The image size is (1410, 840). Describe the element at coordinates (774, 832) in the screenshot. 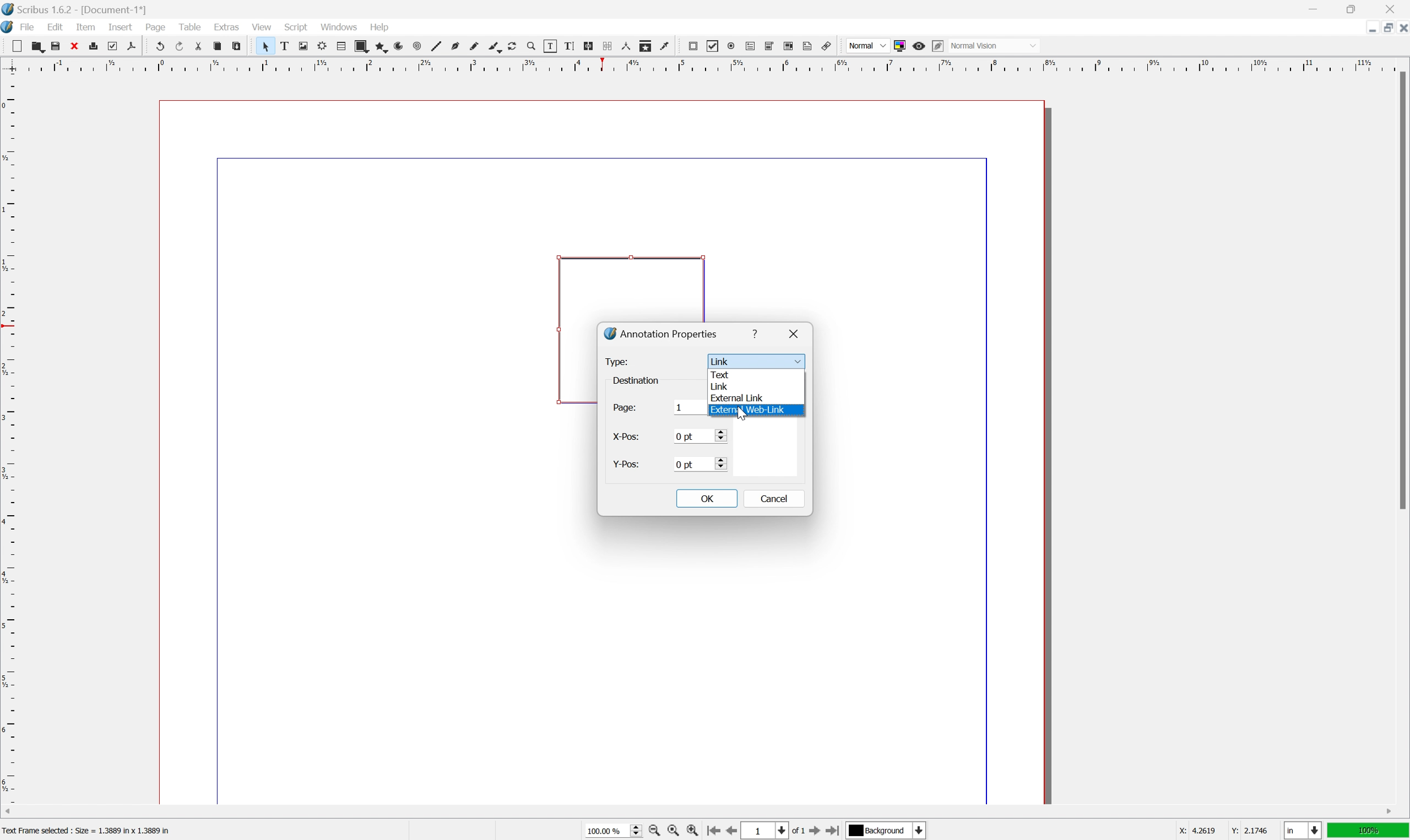

I see `select current page` at that location.